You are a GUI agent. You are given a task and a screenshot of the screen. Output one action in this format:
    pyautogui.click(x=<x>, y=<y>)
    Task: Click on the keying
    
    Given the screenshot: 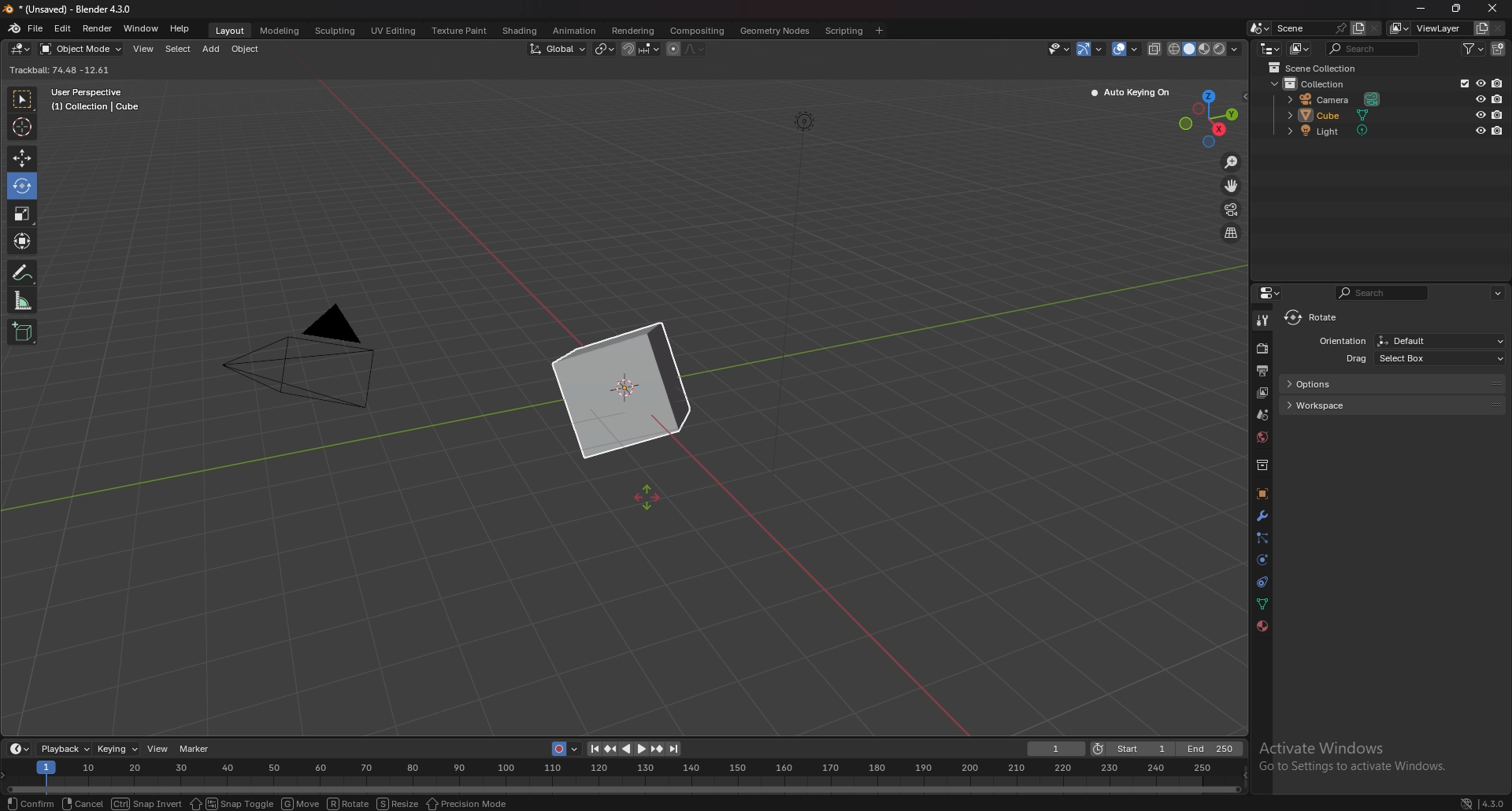 What is the action you would take?
    pyautogui.click(x=118, y=749)
    